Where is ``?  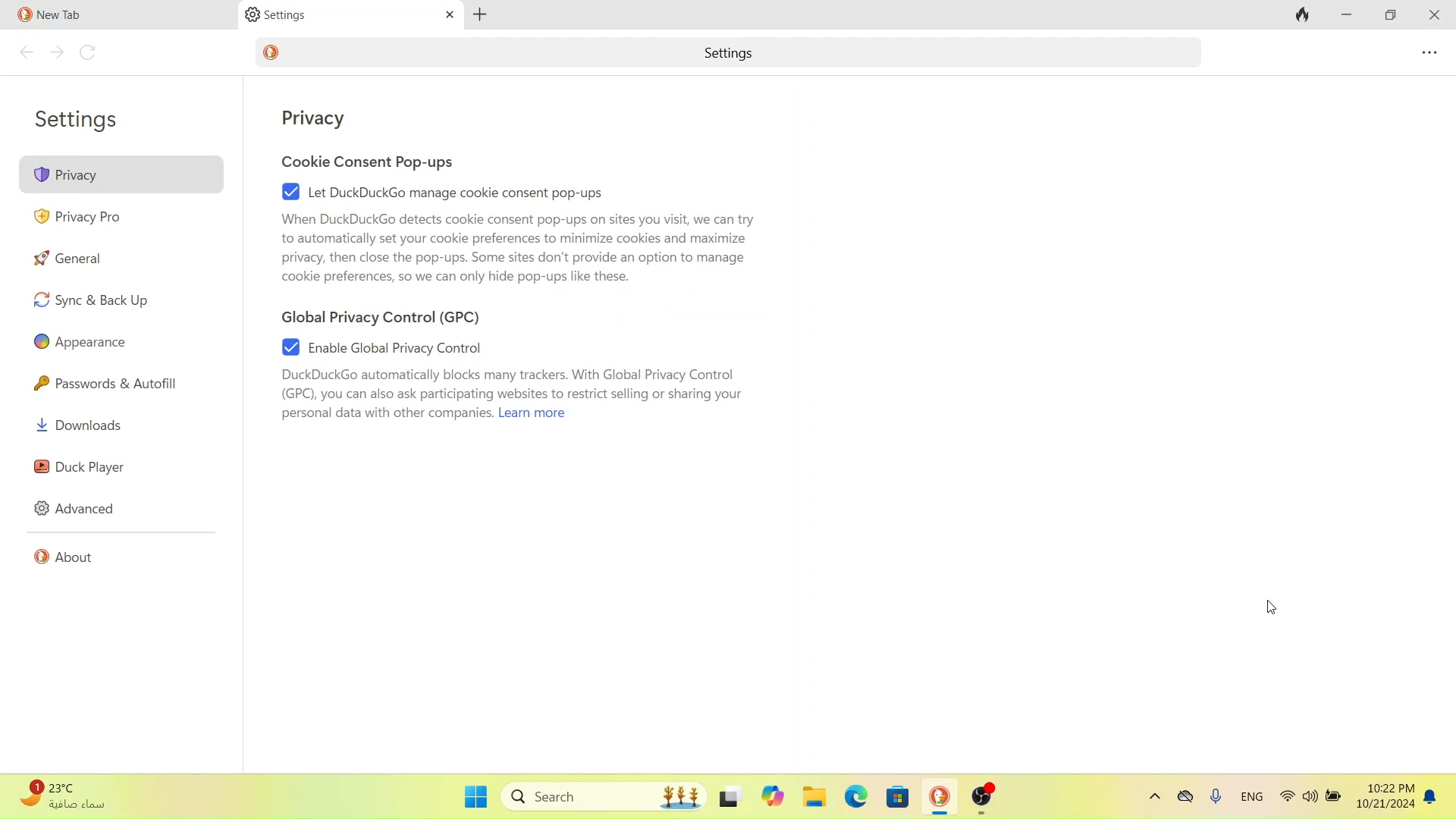  is located at coordinates (771, 797).